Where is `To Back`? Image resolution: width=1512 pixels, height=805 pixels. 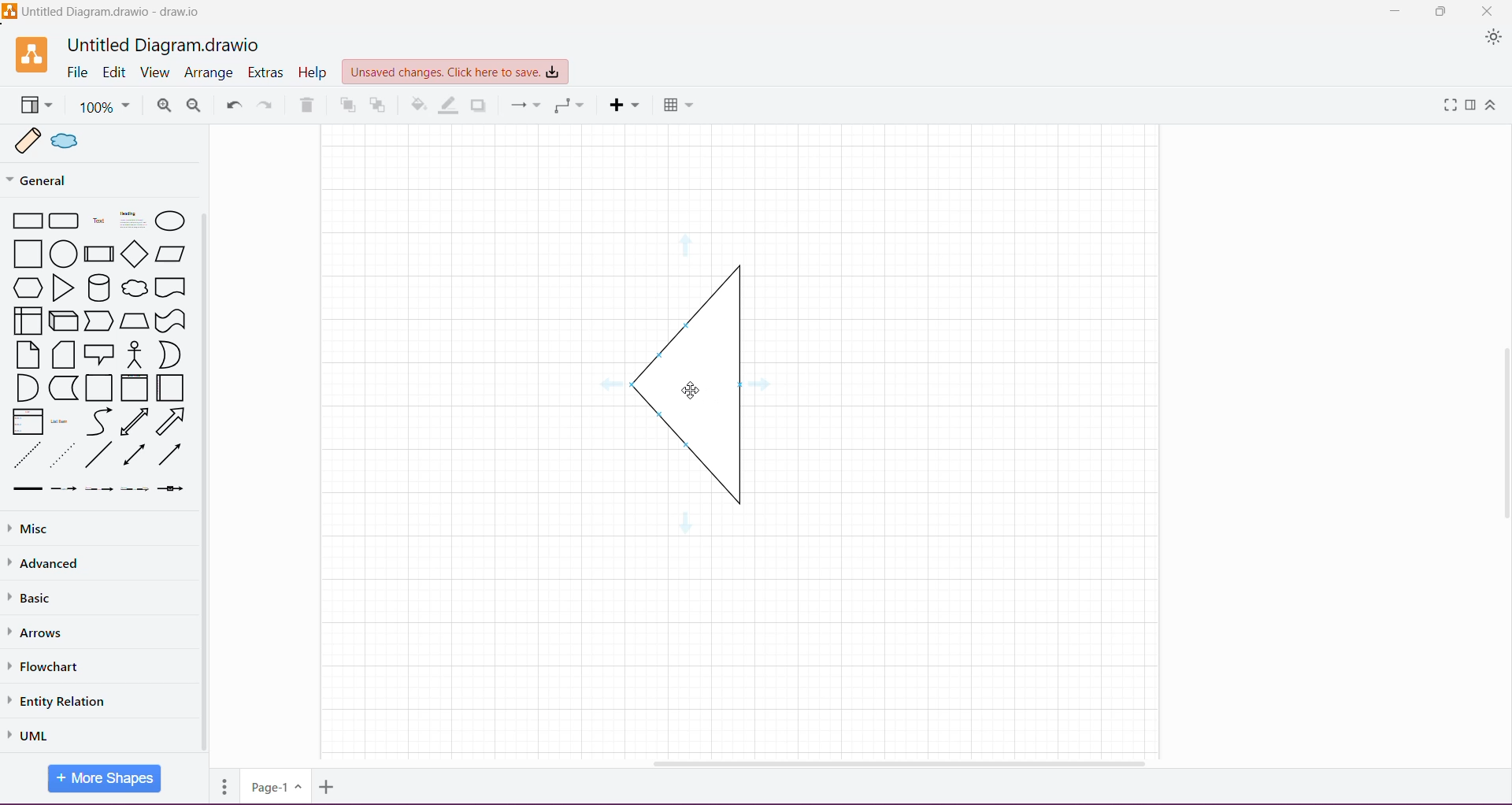 To Back is located at coordinates (378, 106).